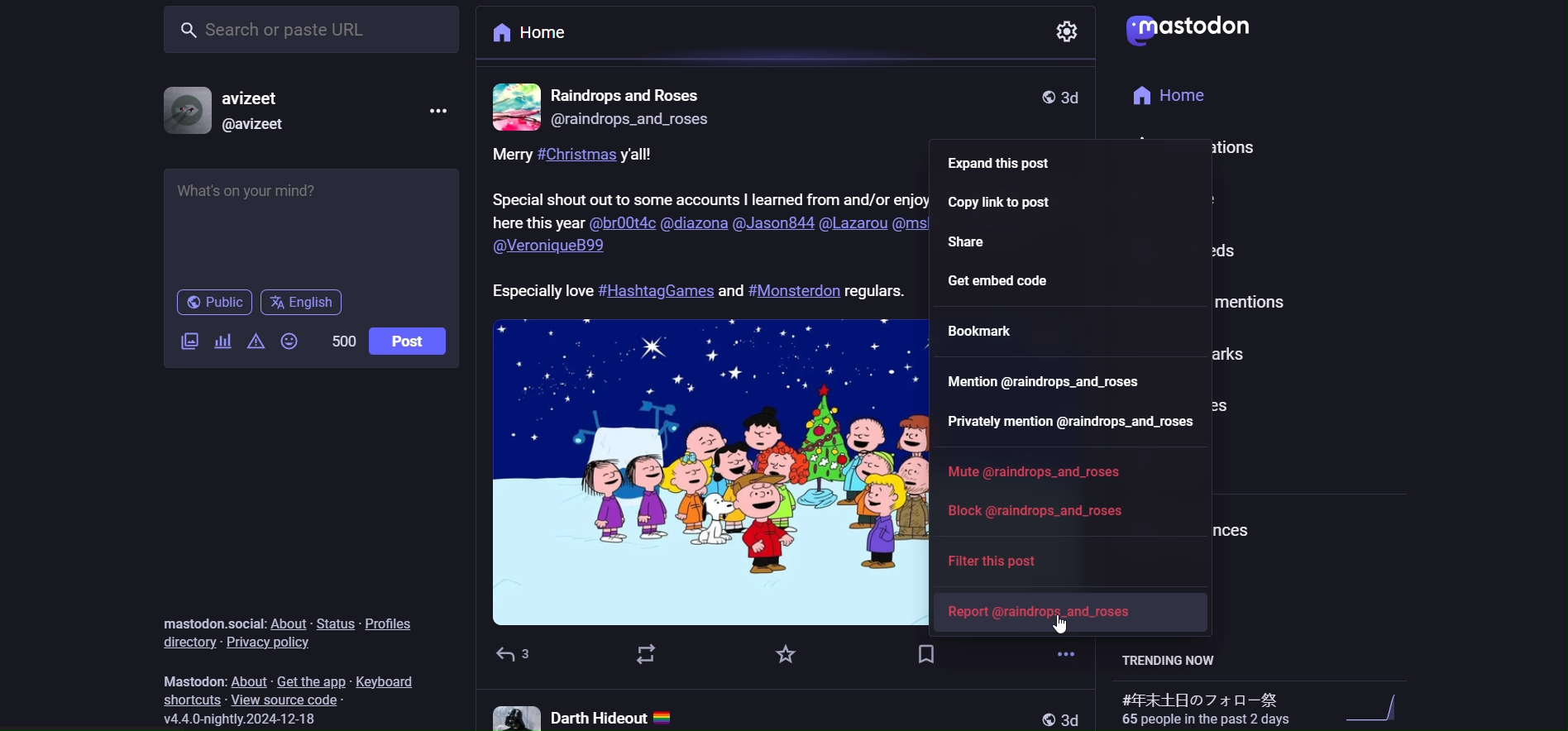 Image resolution: width=1568 pixels, height=731 pixels. What do you see at coordinates (1047, 611) in the screenshot?
I see `report` at bounding box center [1047, 611].